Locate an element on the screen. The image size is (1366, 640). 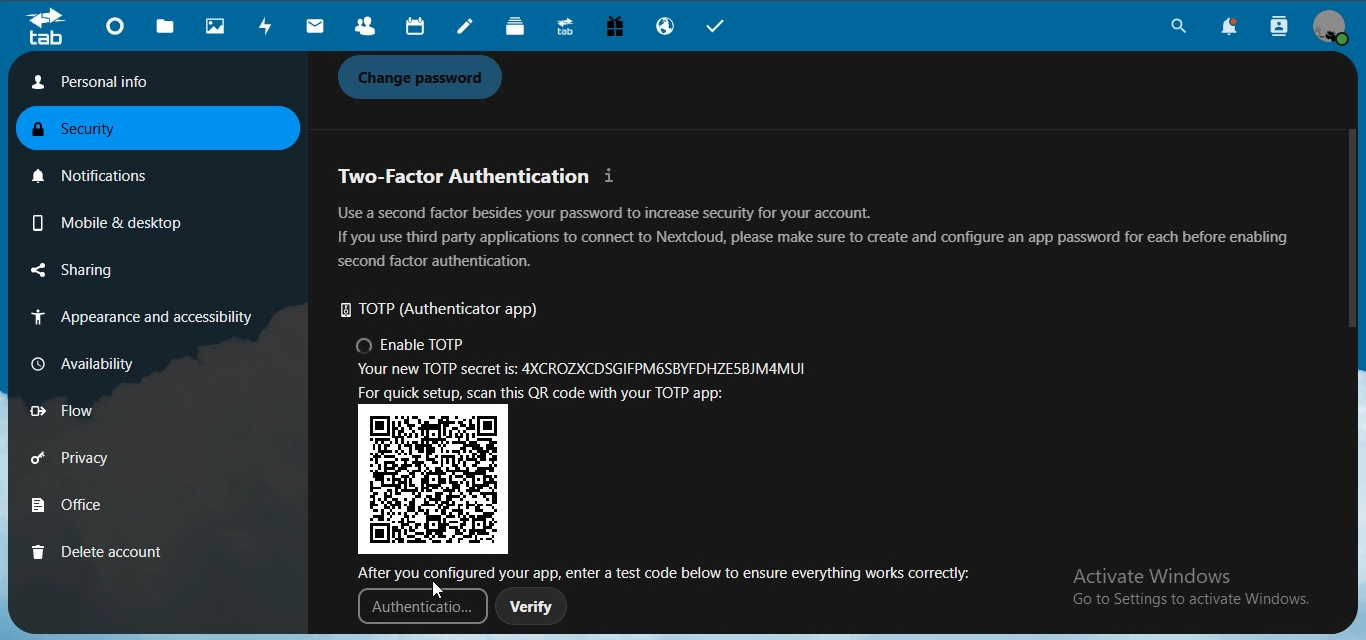
contact is located at coordinates (365, 27).